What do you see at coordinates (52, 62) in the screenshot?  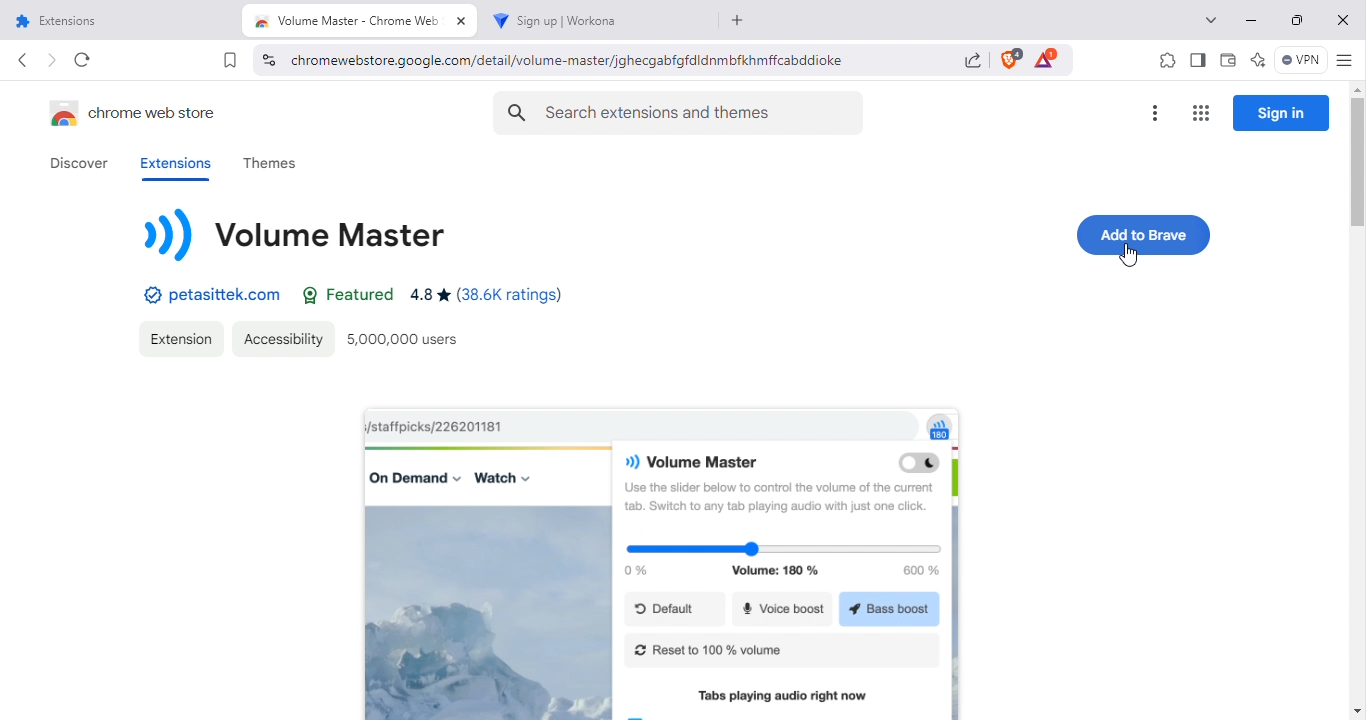 I see `Click to go forward` at bounding box center [52, 62].